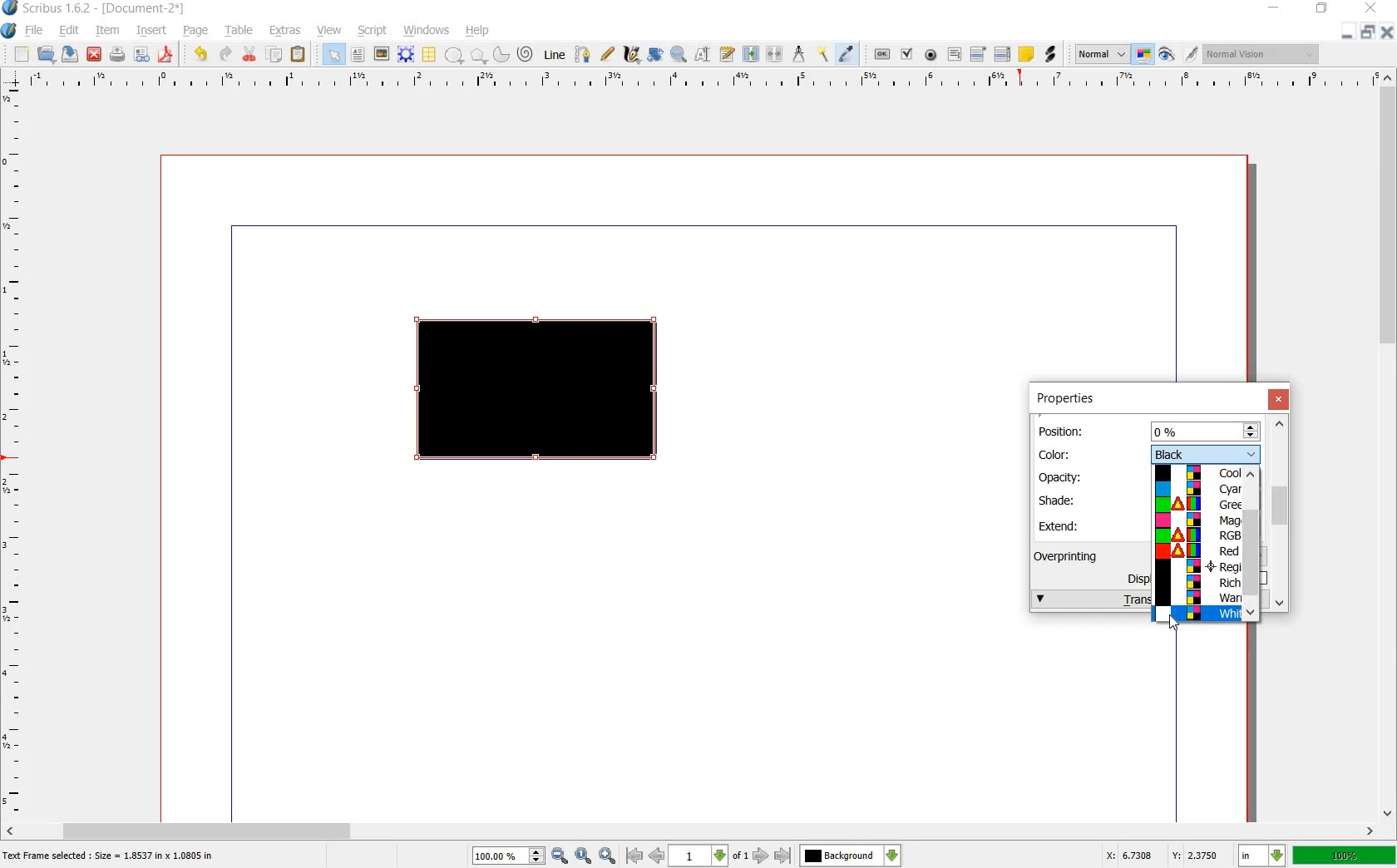 This screenshot has width=1397, height=868. Describe the element at coordinates (1275, 8) in the screenshot. I see `minimize` at that location.